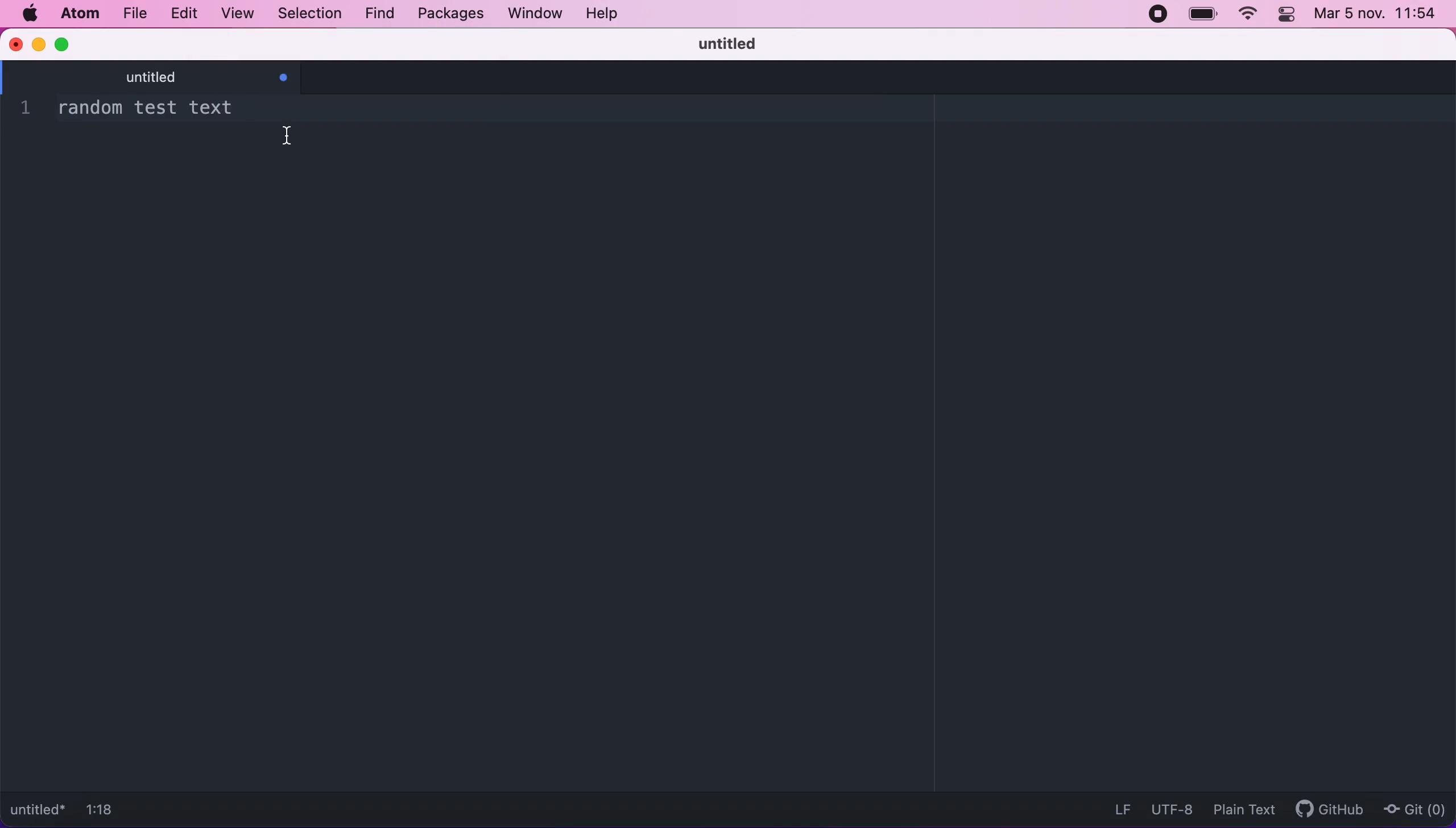 Image resolution: width=1456 pixels, height=828 pixels. Describe the element at coordinates (531, 15) in the screenshot. I see `window` at that location.